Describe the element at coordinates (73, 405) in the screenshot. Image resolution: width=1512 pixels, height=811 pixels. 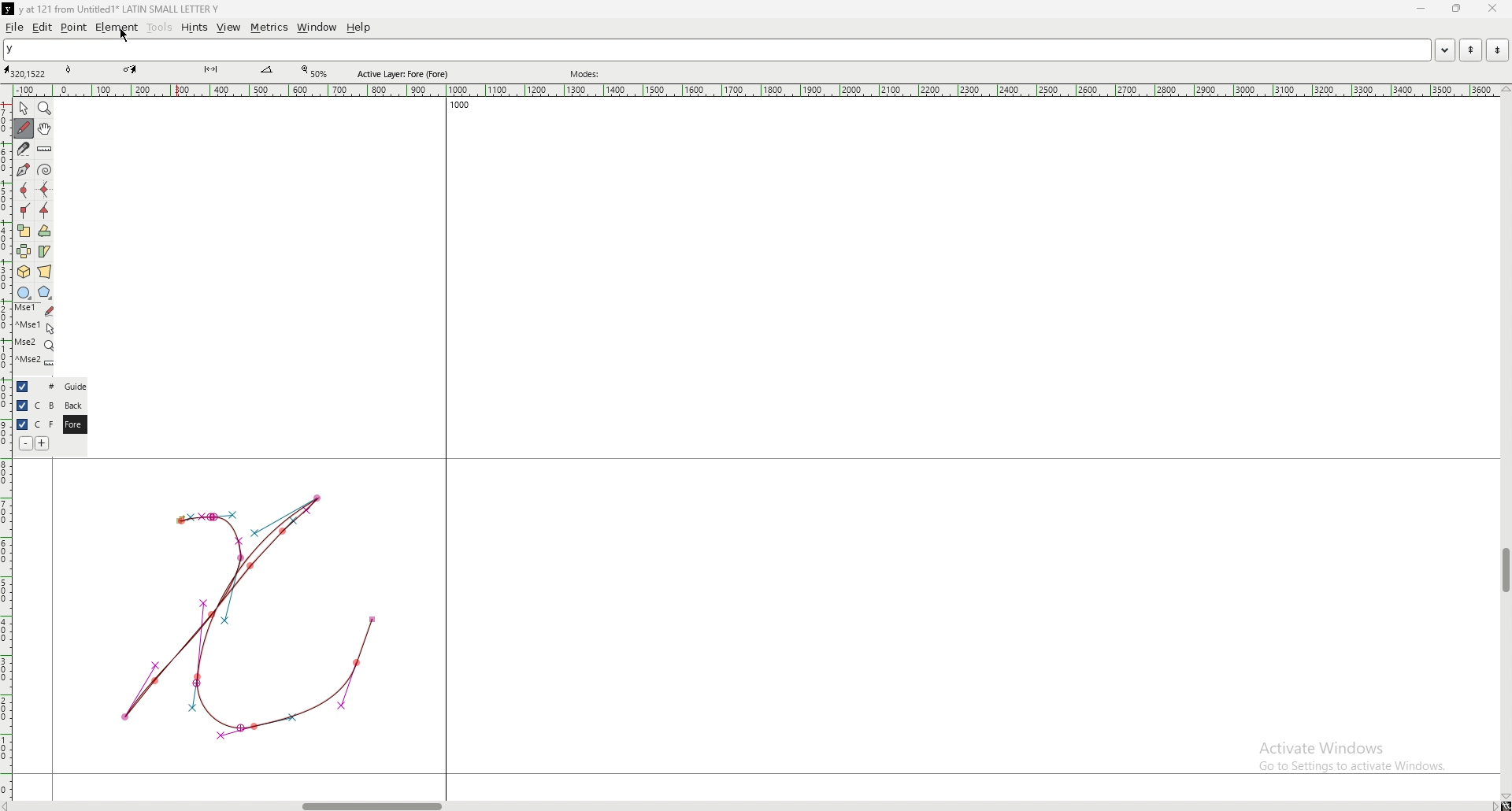
I see `back` at that location.